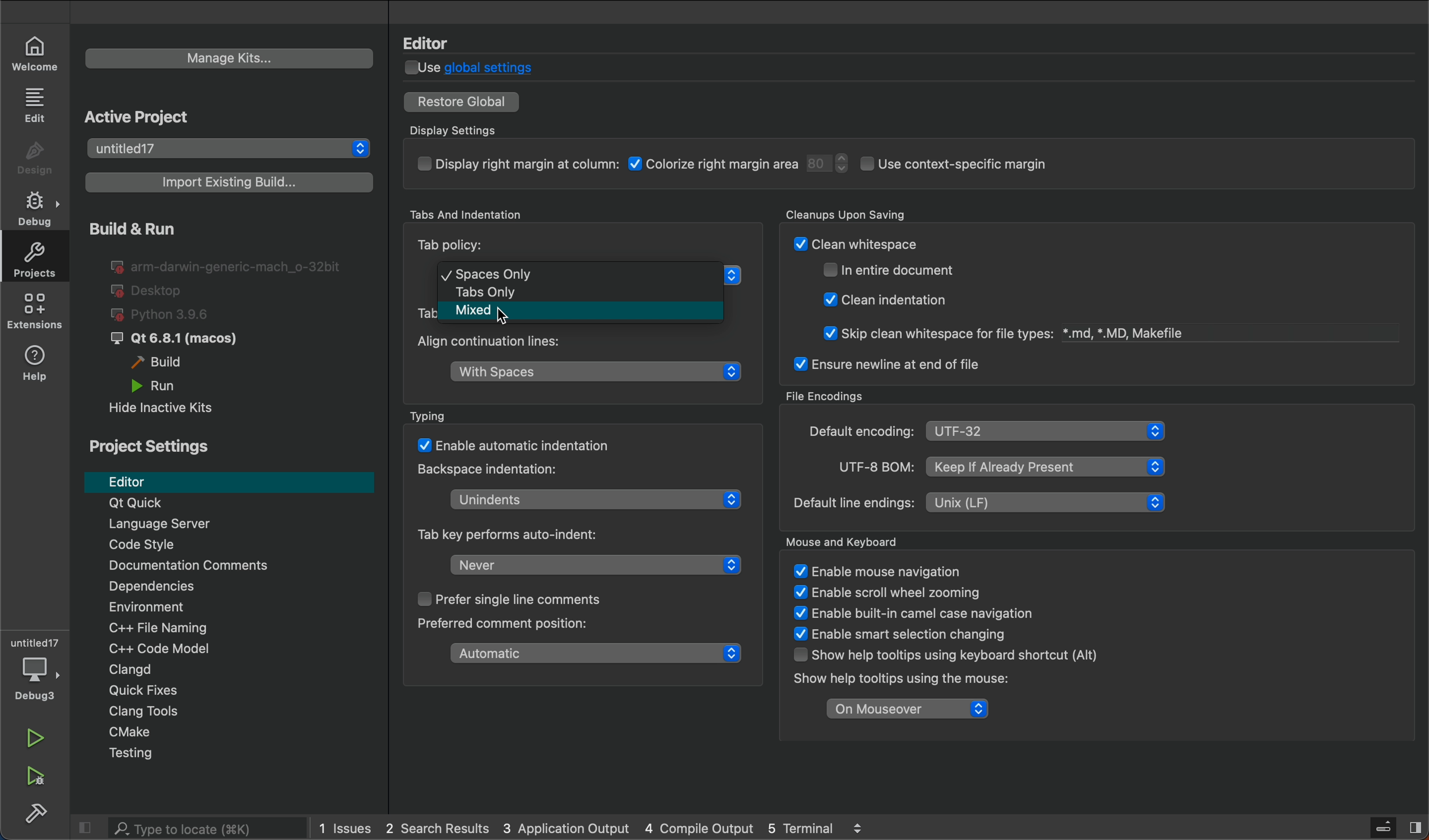 The height and width of the screenshot is (840, 1429). I want to click on help, so click(39, 367).